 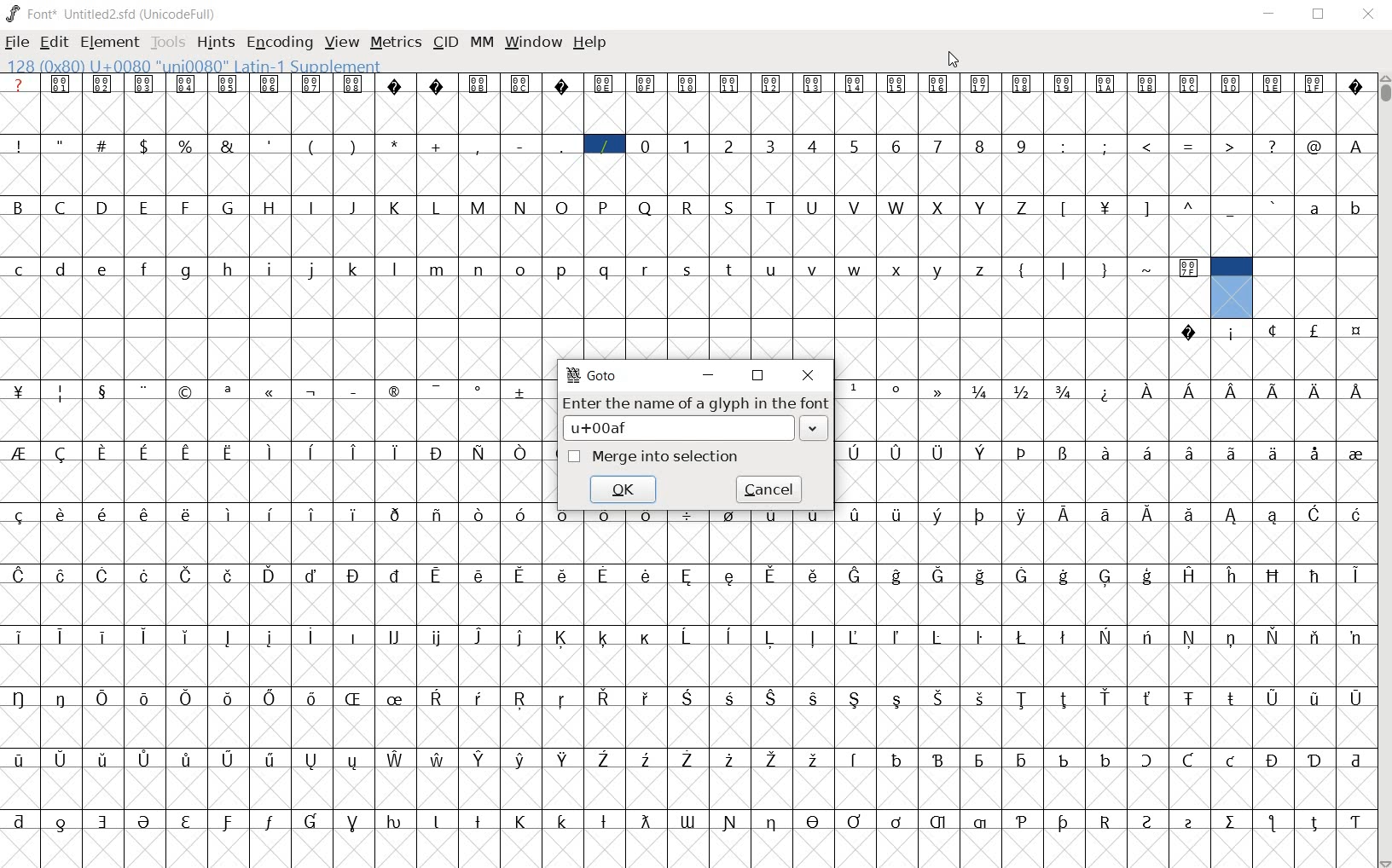 I want to click on Symbol, so click(x=148, y=698).